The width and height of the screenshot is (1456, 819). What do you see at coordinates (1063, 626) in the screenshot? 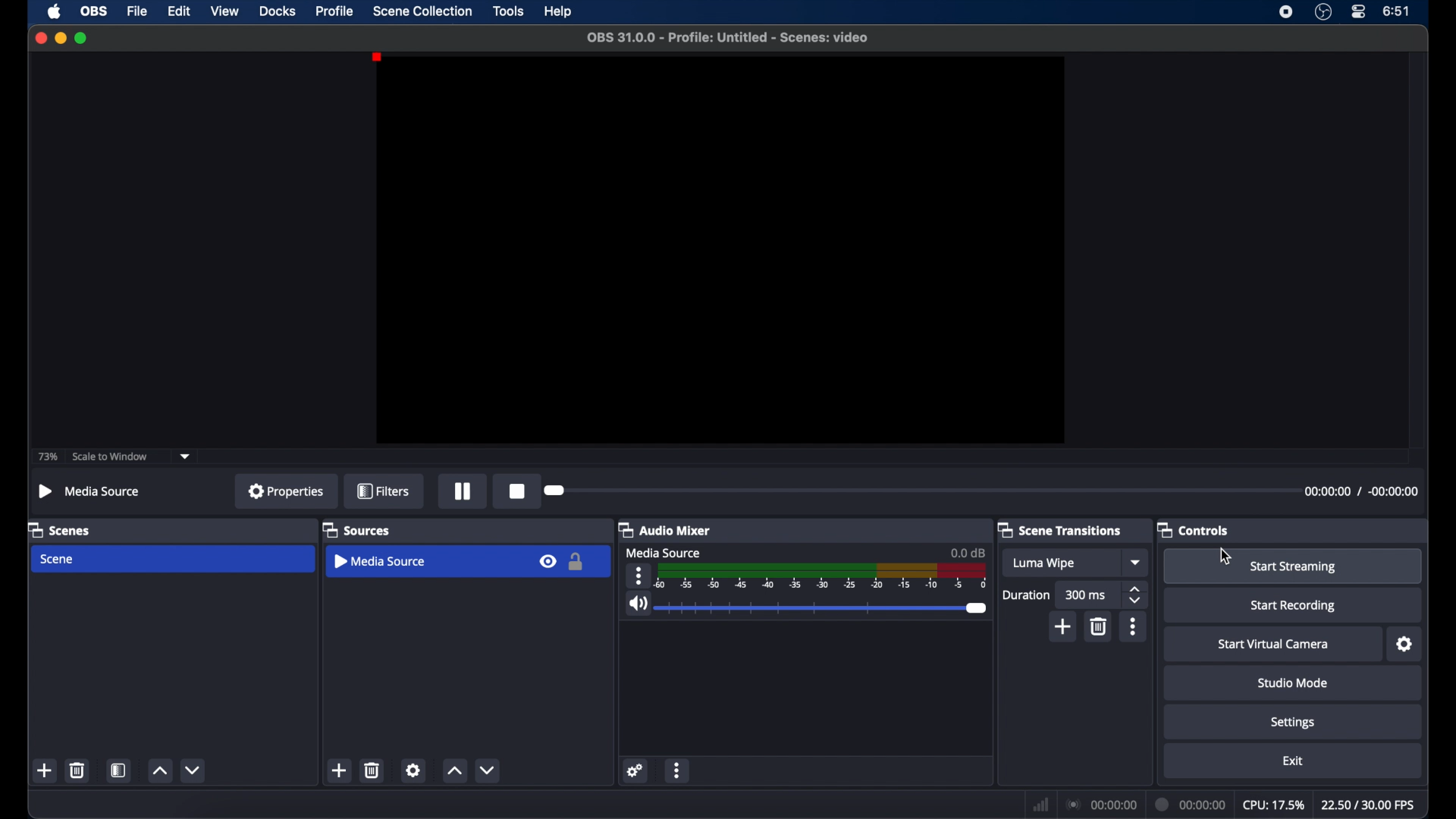
I see `add` at bounding box center [1063, 626].